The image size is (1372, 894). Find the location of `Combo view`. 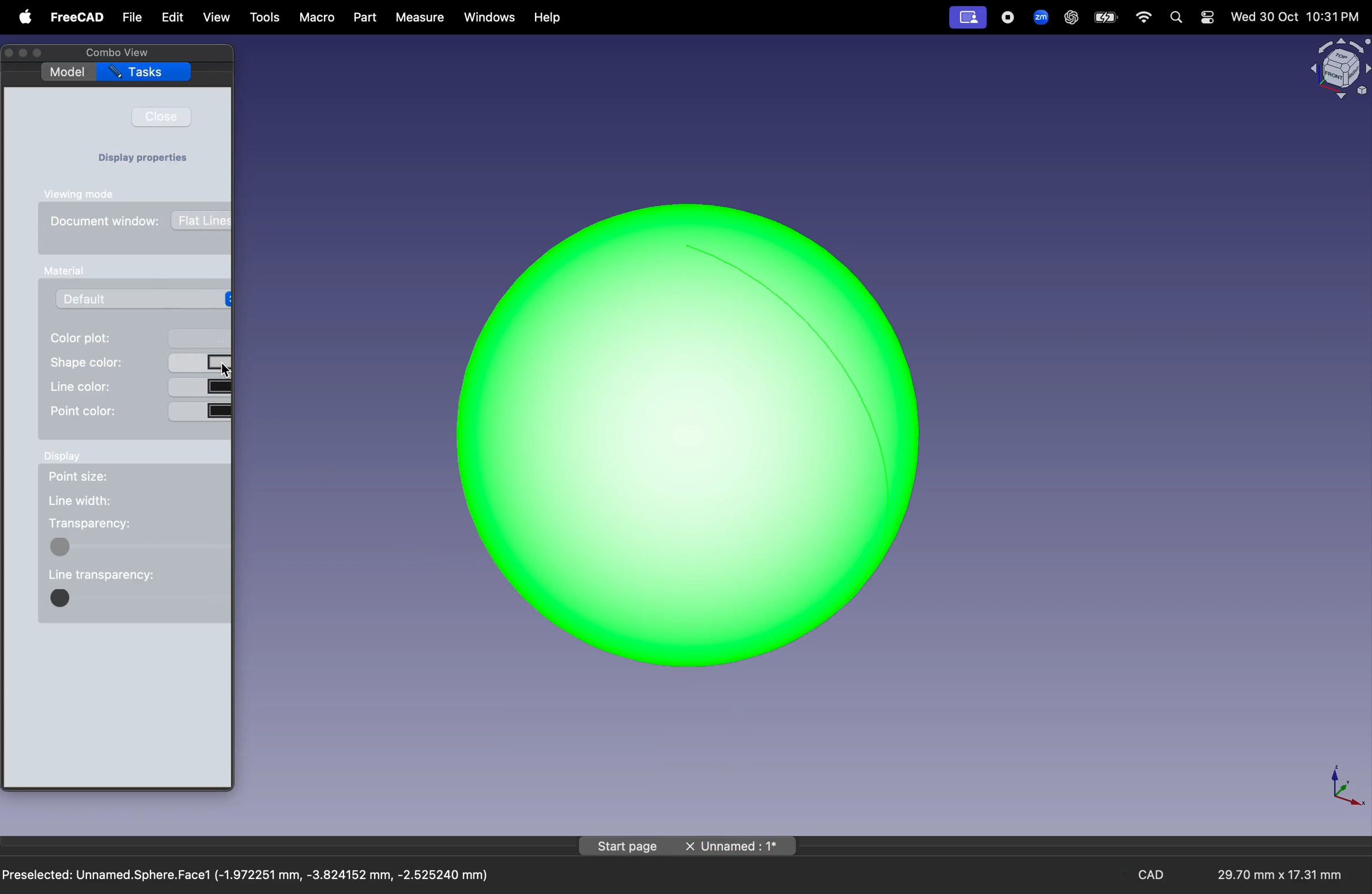

Combo view is located at coordinates (115, 52).